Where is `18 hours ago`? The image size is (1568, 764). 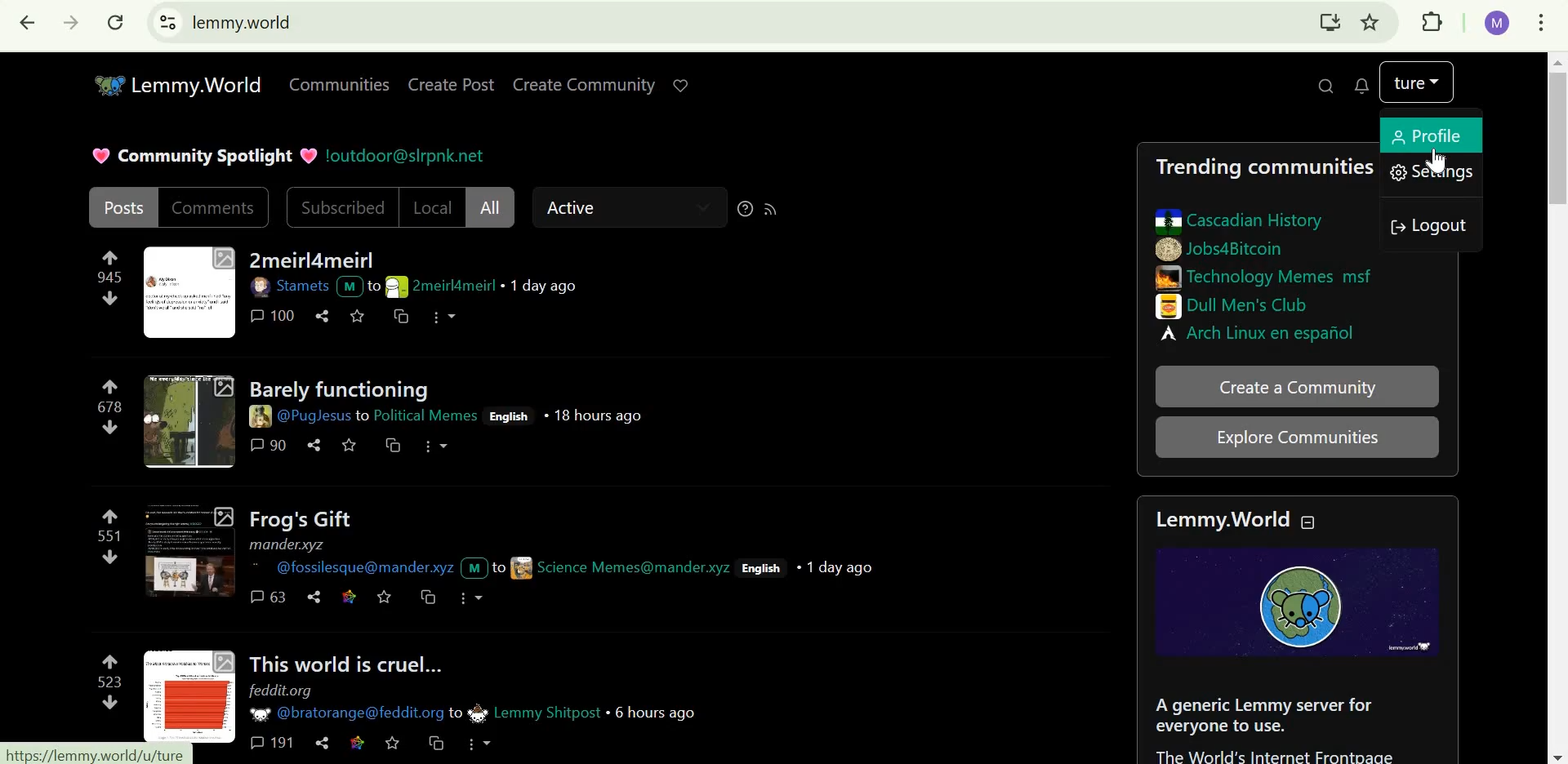
18 hours ago is located at coordinates (596, 416).